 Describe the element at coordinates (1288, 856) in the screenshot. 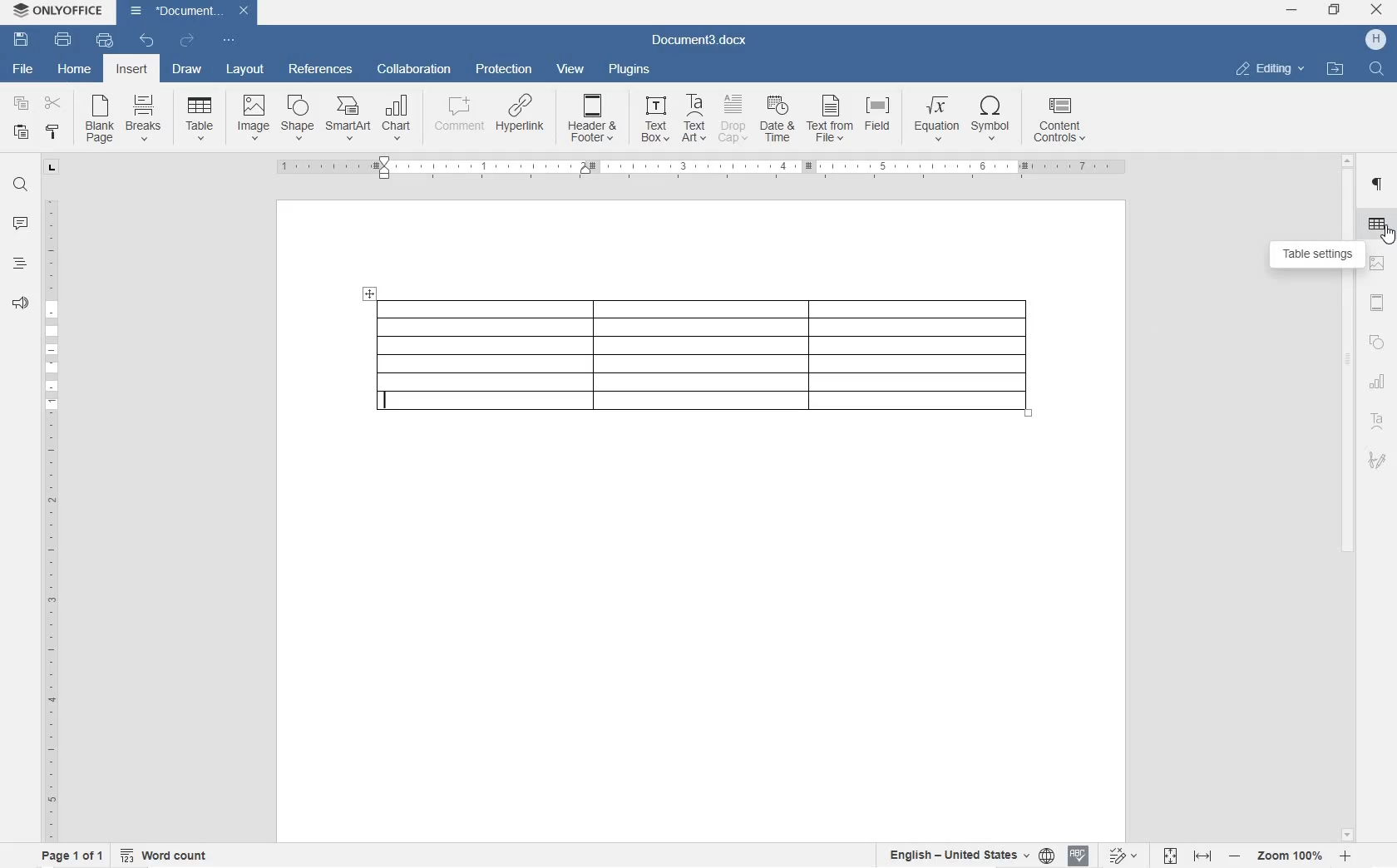

I see `ZOOM OUT OR IN` at that location.